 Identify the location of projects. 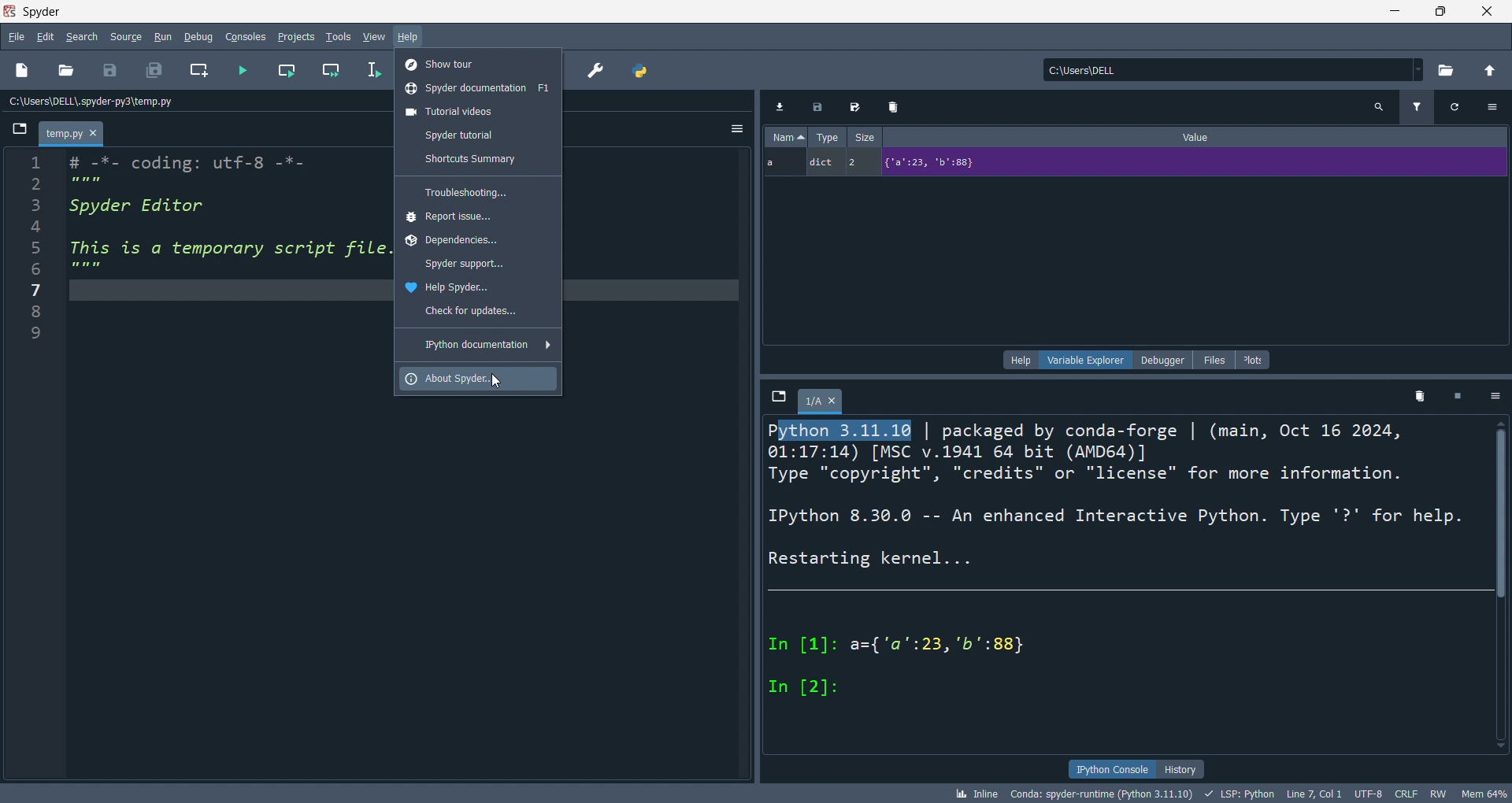
(297, 38).